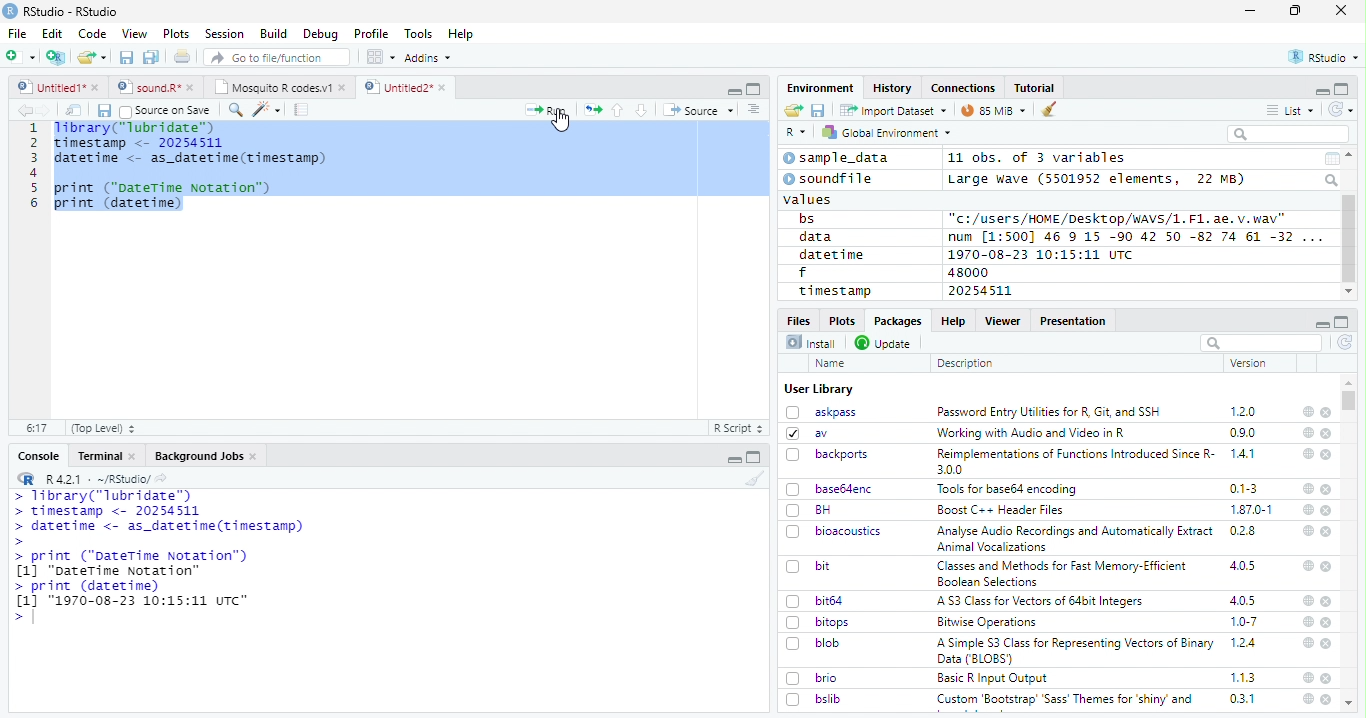 This screenshot has width=1366, height=718. Describe the element at coordinates (279, 87) in the screenshot. I see `Mosquito R codes.v1` at that location.